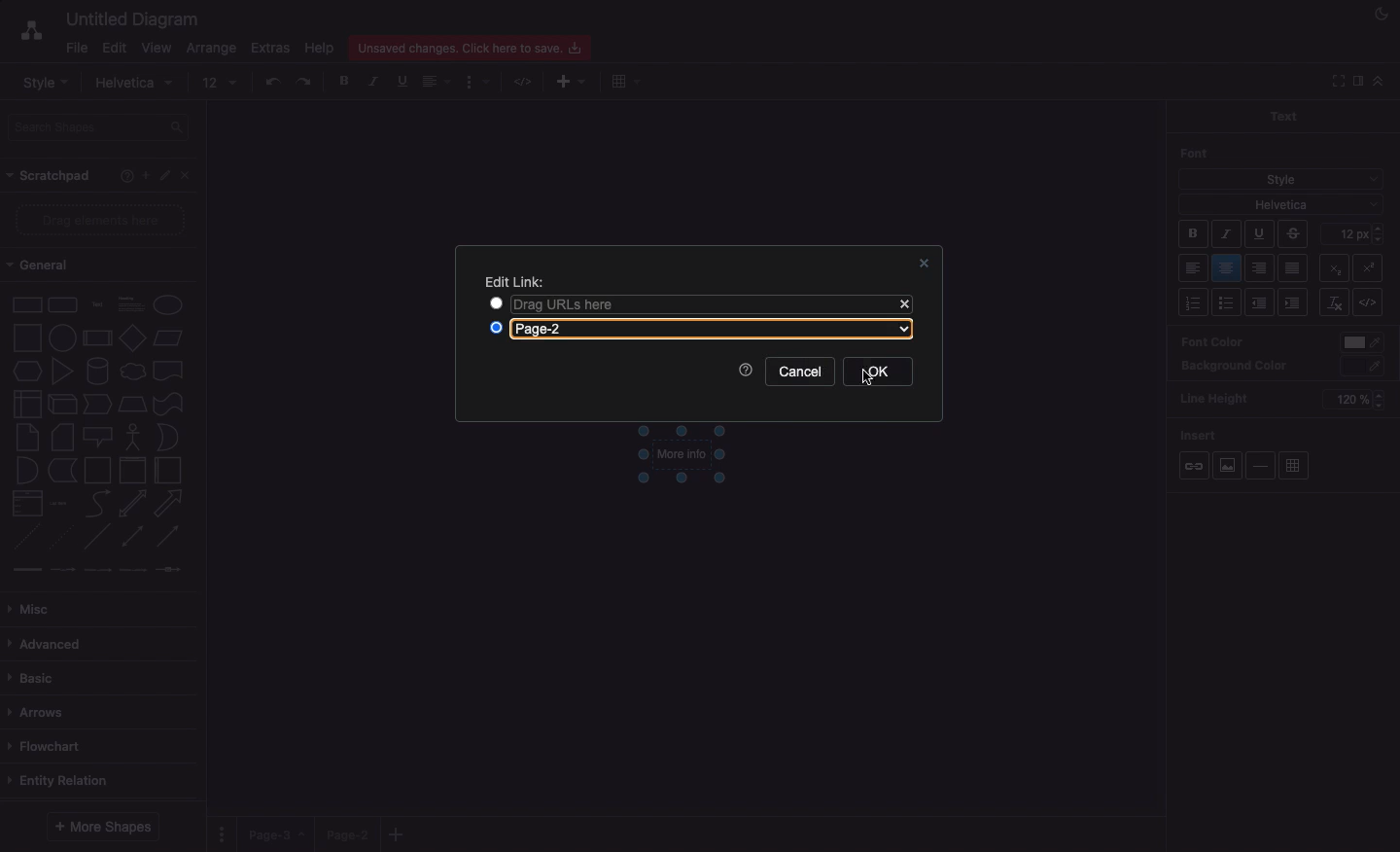 The height and width of the screenshot is (852, 1400). What do you see at coordinates (1373, 265) in the screenshot?
I see `Subscript` at bounding box center [1373, 265].